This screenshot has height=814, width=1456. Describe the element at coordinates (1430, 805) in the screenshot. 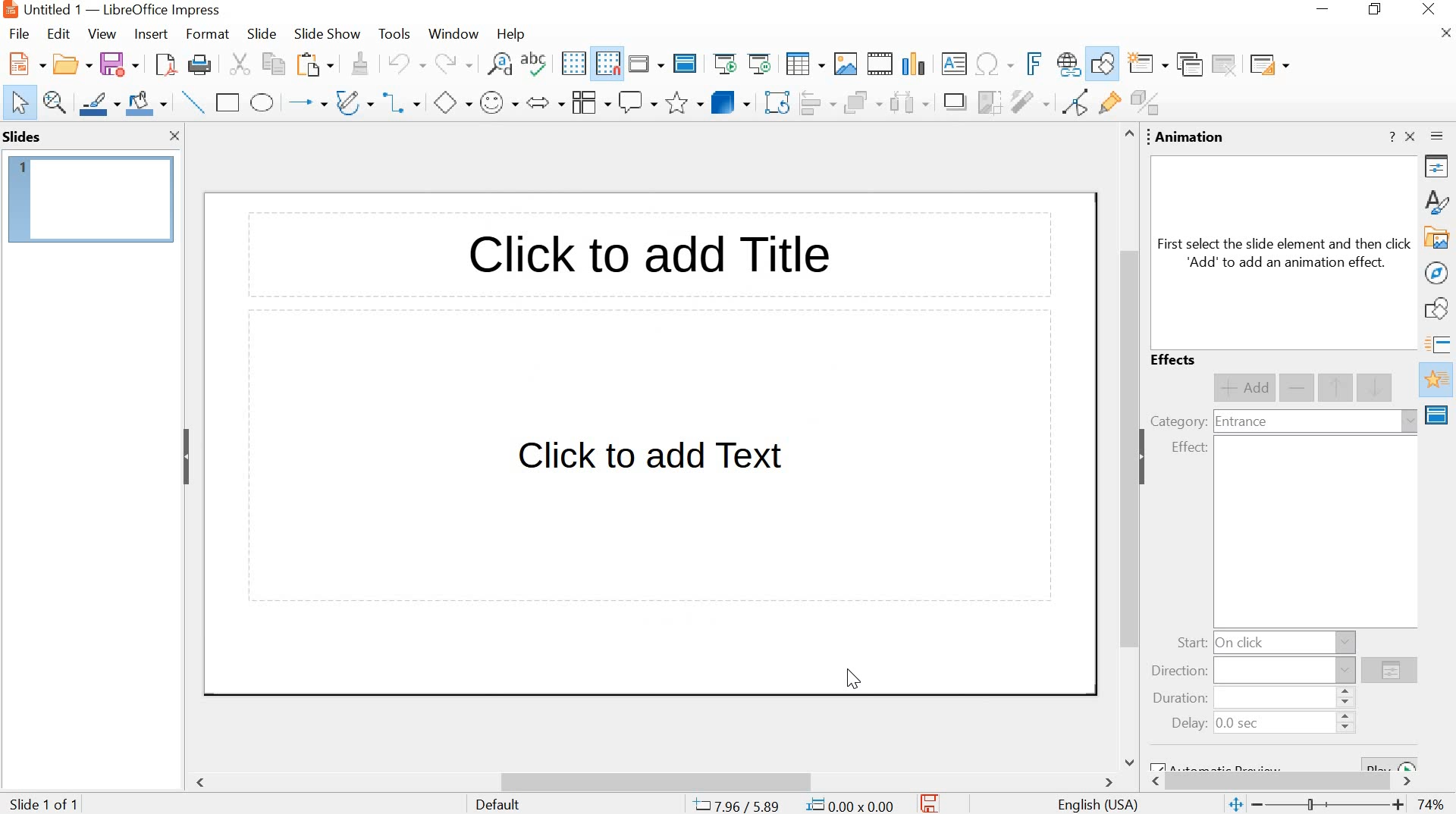

I see `zoom percent` at that location.